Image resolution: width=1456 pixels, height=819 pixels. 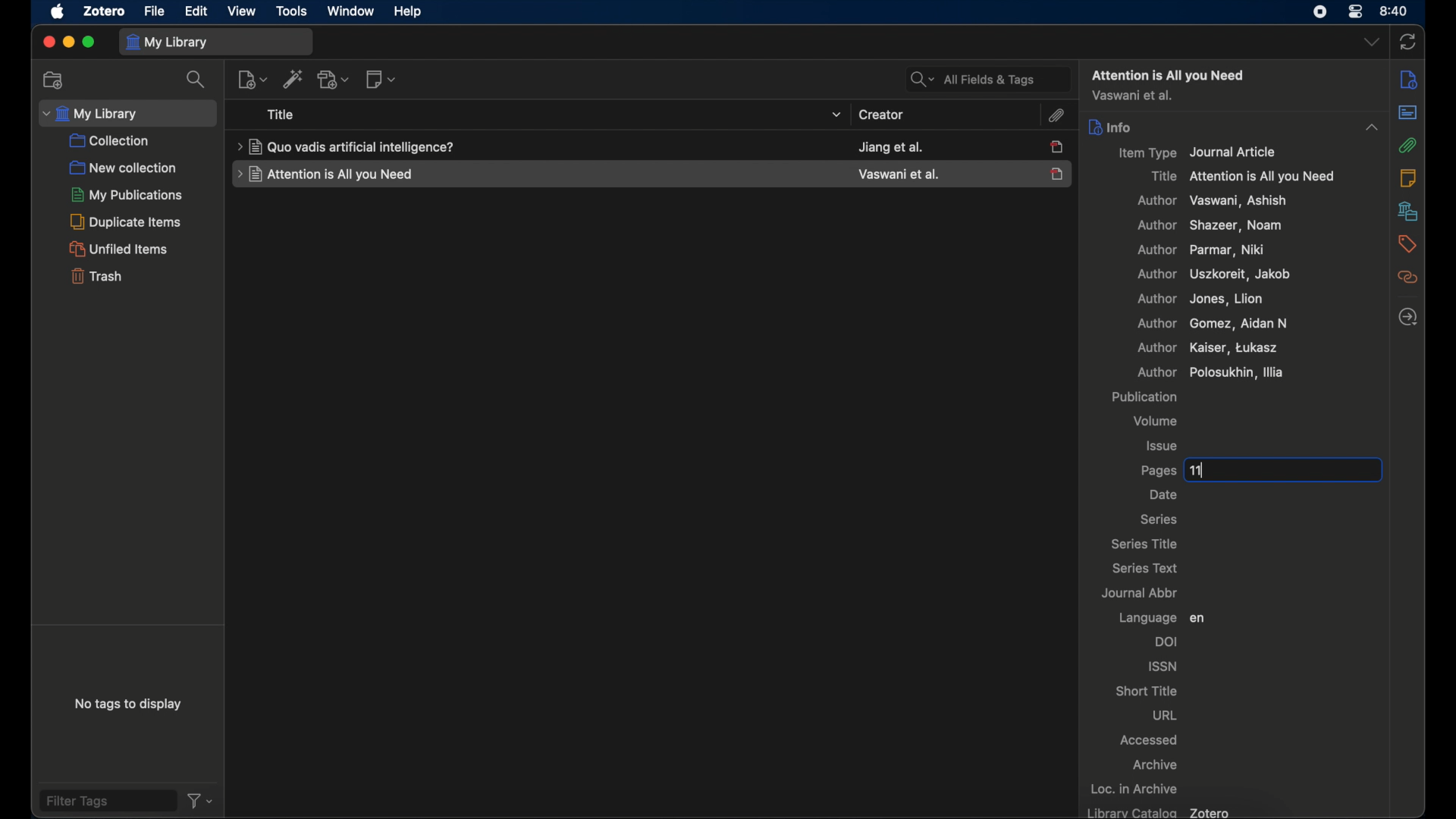 I want to click on related, so click(x=1407, y=278).